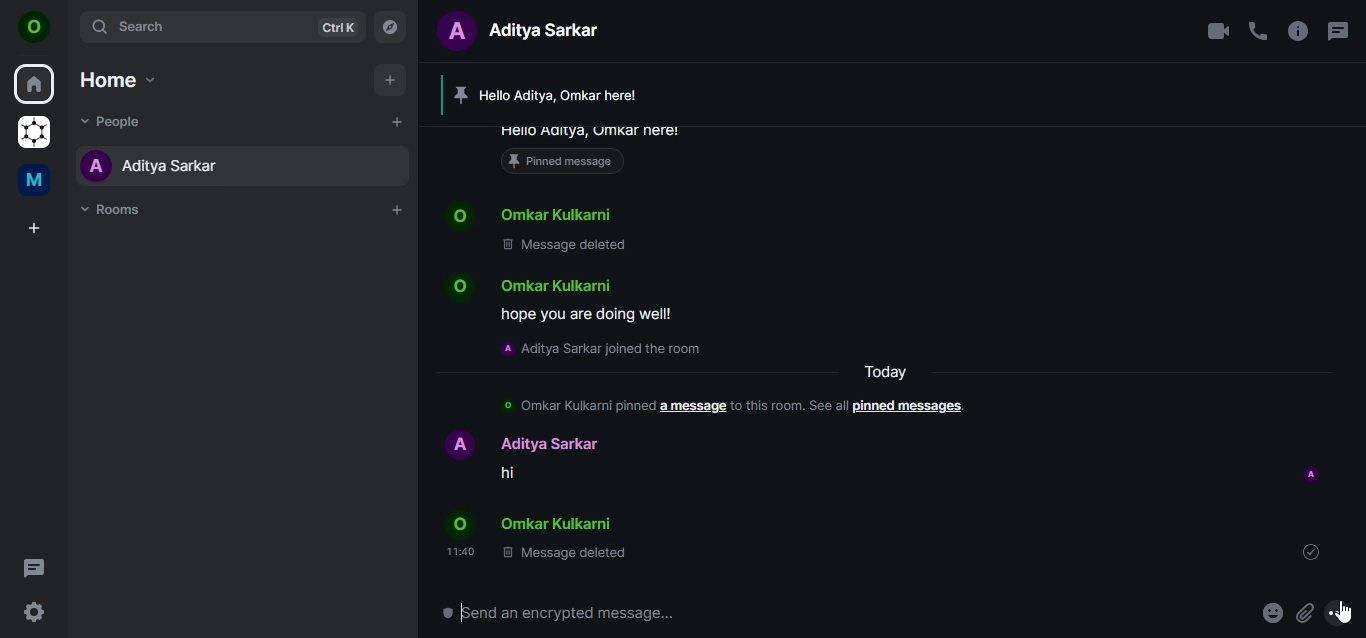  I want to click on home, so click(116, 79).